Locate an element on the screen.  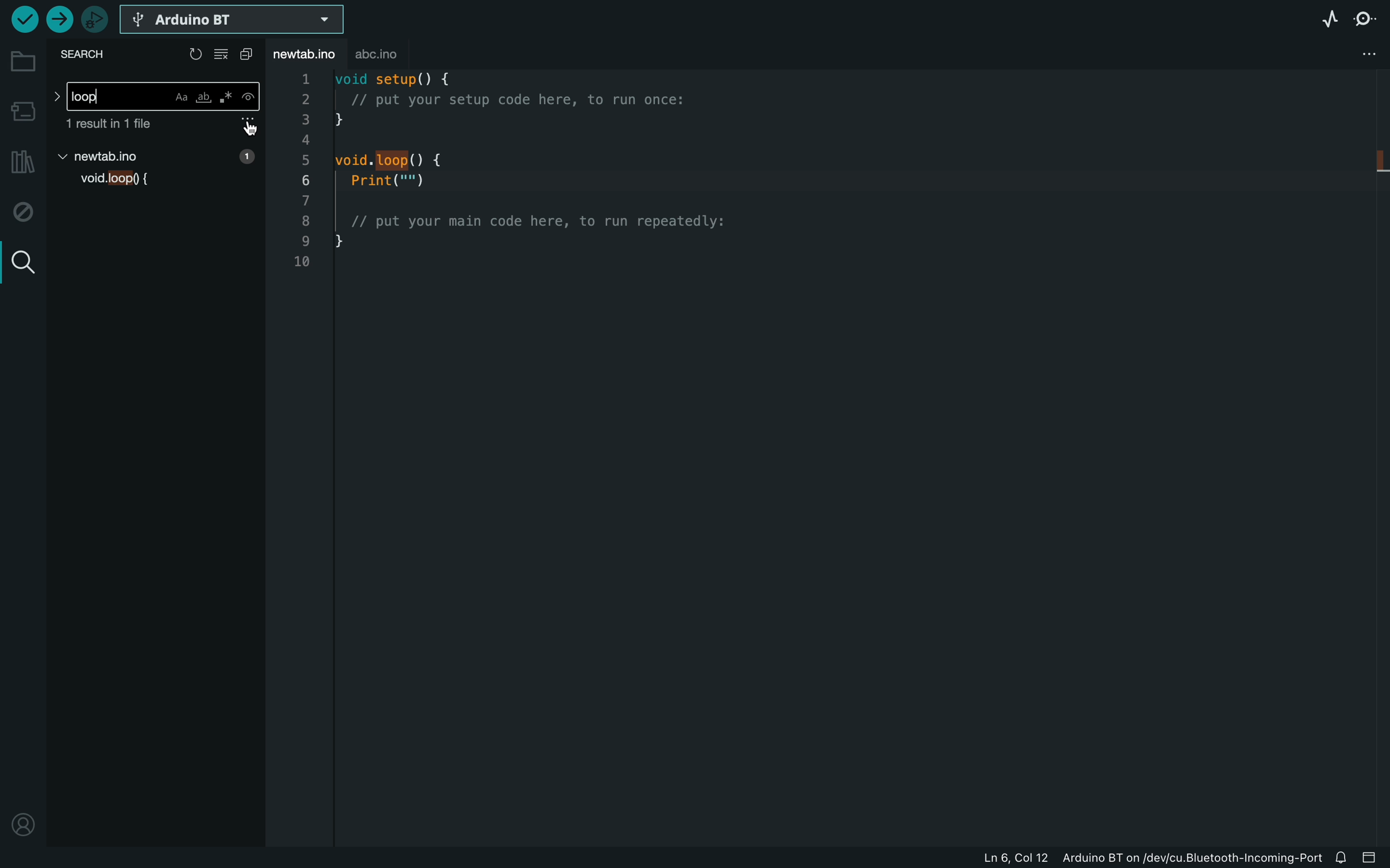
loop is located at coordinates (156, 96).